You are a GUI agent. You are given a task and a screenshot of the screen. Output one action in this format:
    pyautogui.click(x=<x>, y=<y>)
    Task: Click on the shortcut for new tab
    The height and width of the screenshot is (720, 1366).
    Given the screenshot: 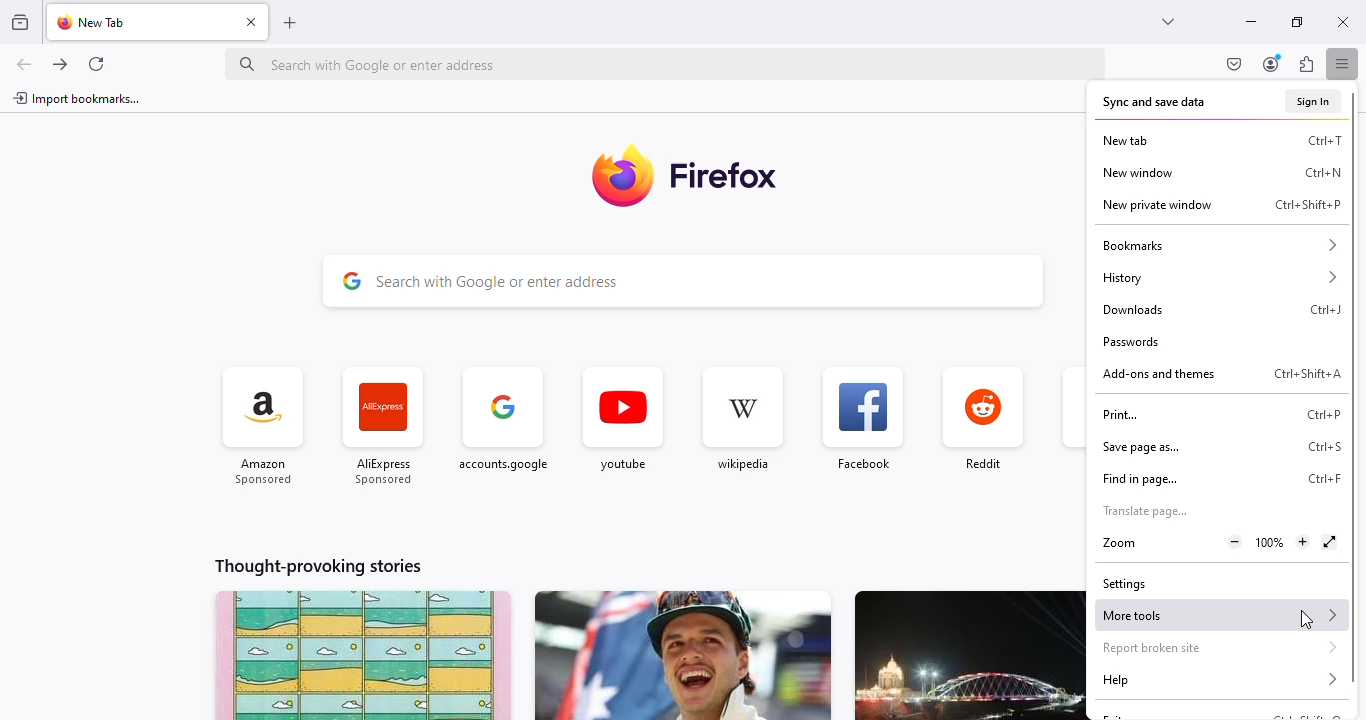 What is the action you would take?
    pyautogui.click(x=1324, y=139)
    